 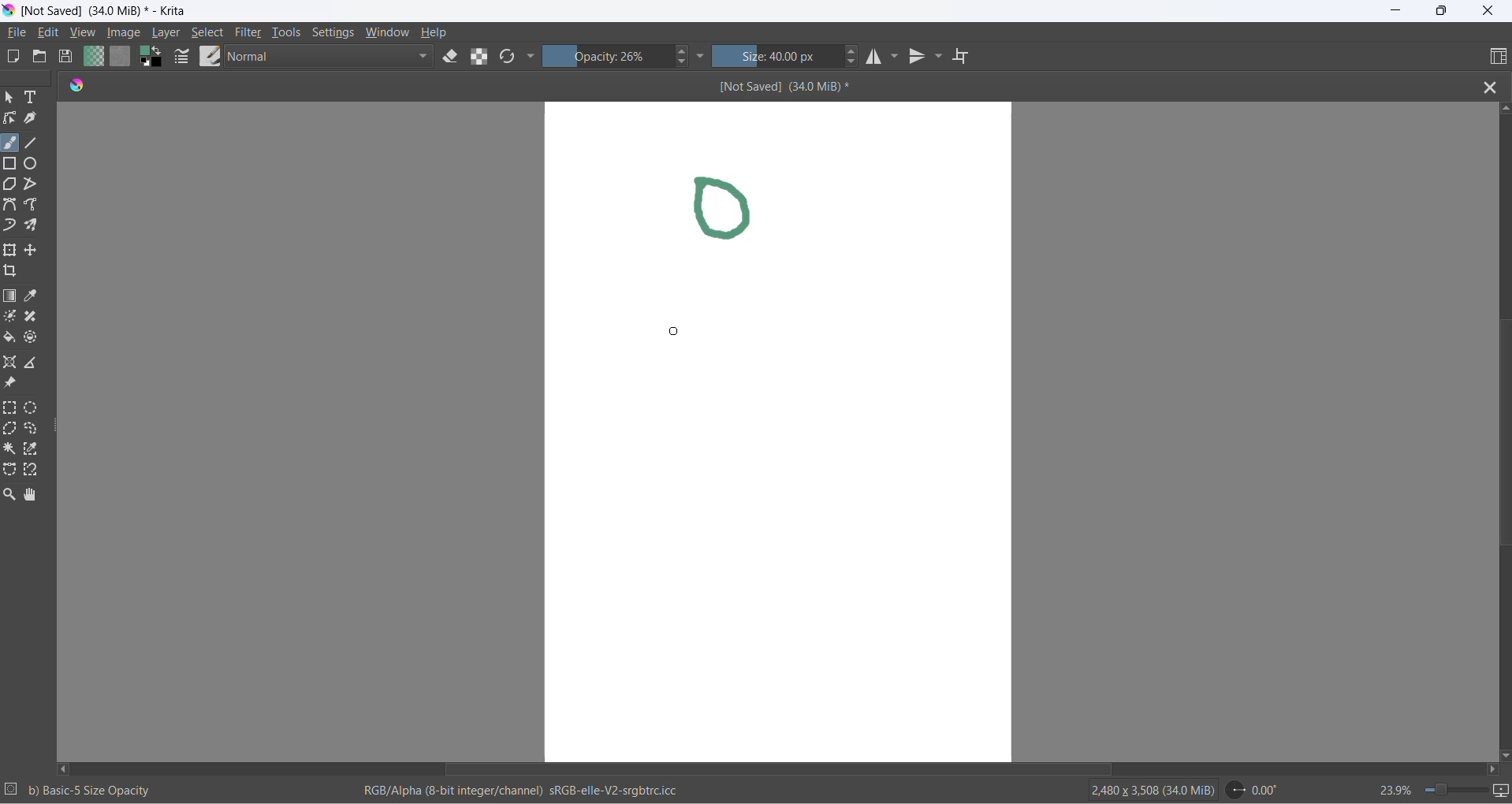 What do you see at coordinates (210, 32) in the screenshot?
I see `select` at bounding box center [210, 32].